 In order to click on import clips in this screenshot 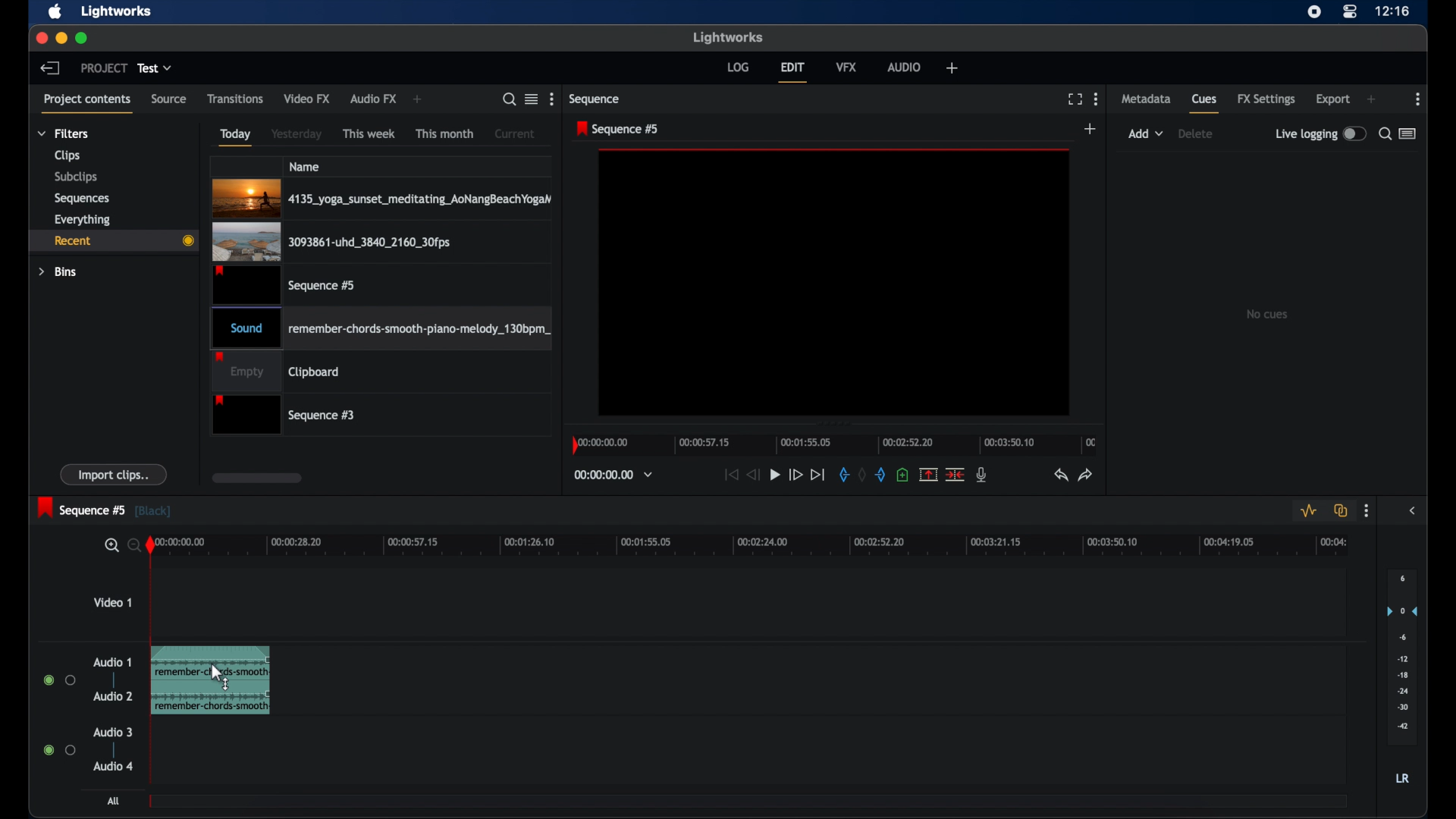, I will do `click(114, 474)`.